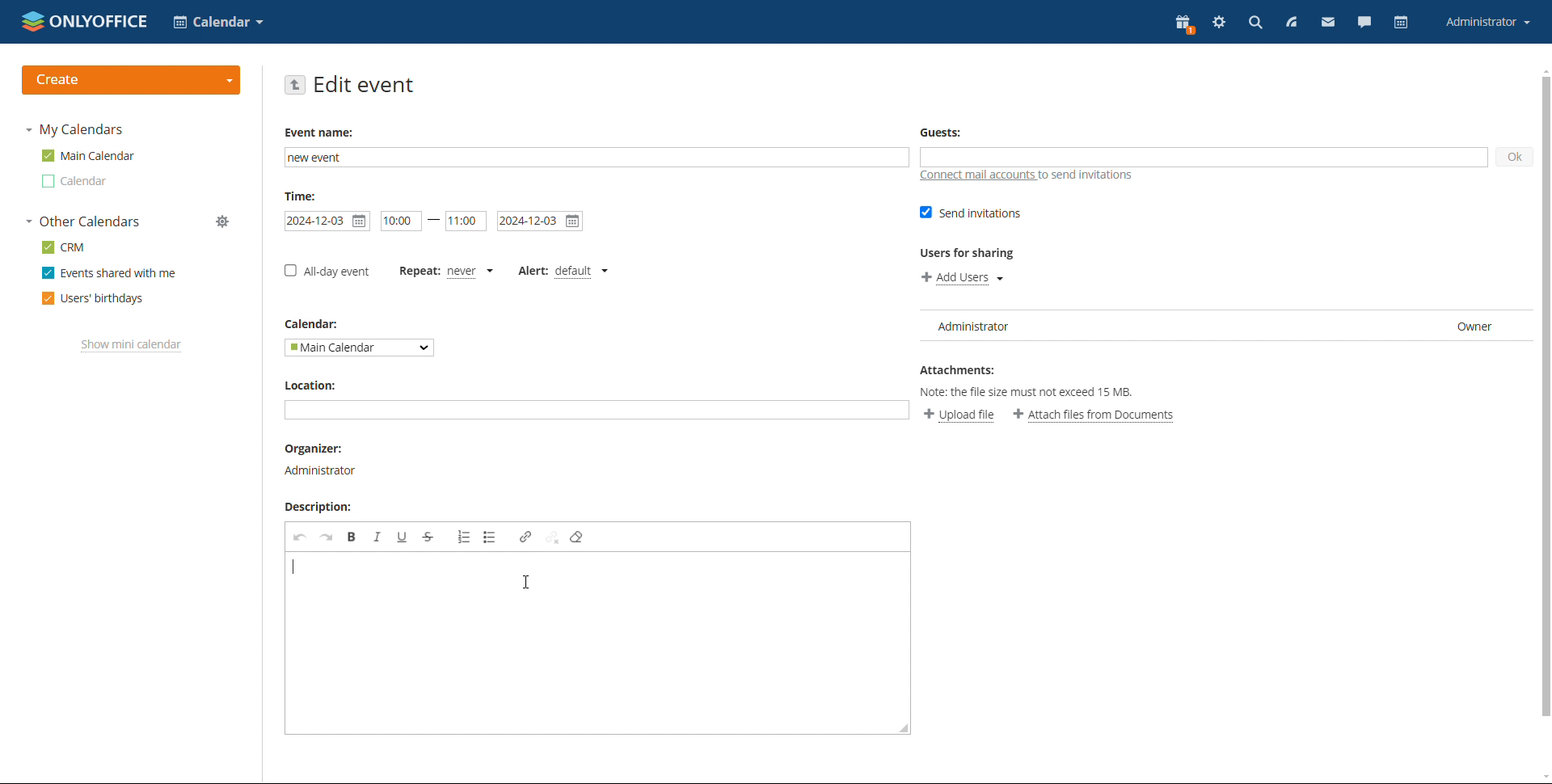  Describe the element at coordinates (322, 470) in the screenshot. I see `Administrator` at that location.